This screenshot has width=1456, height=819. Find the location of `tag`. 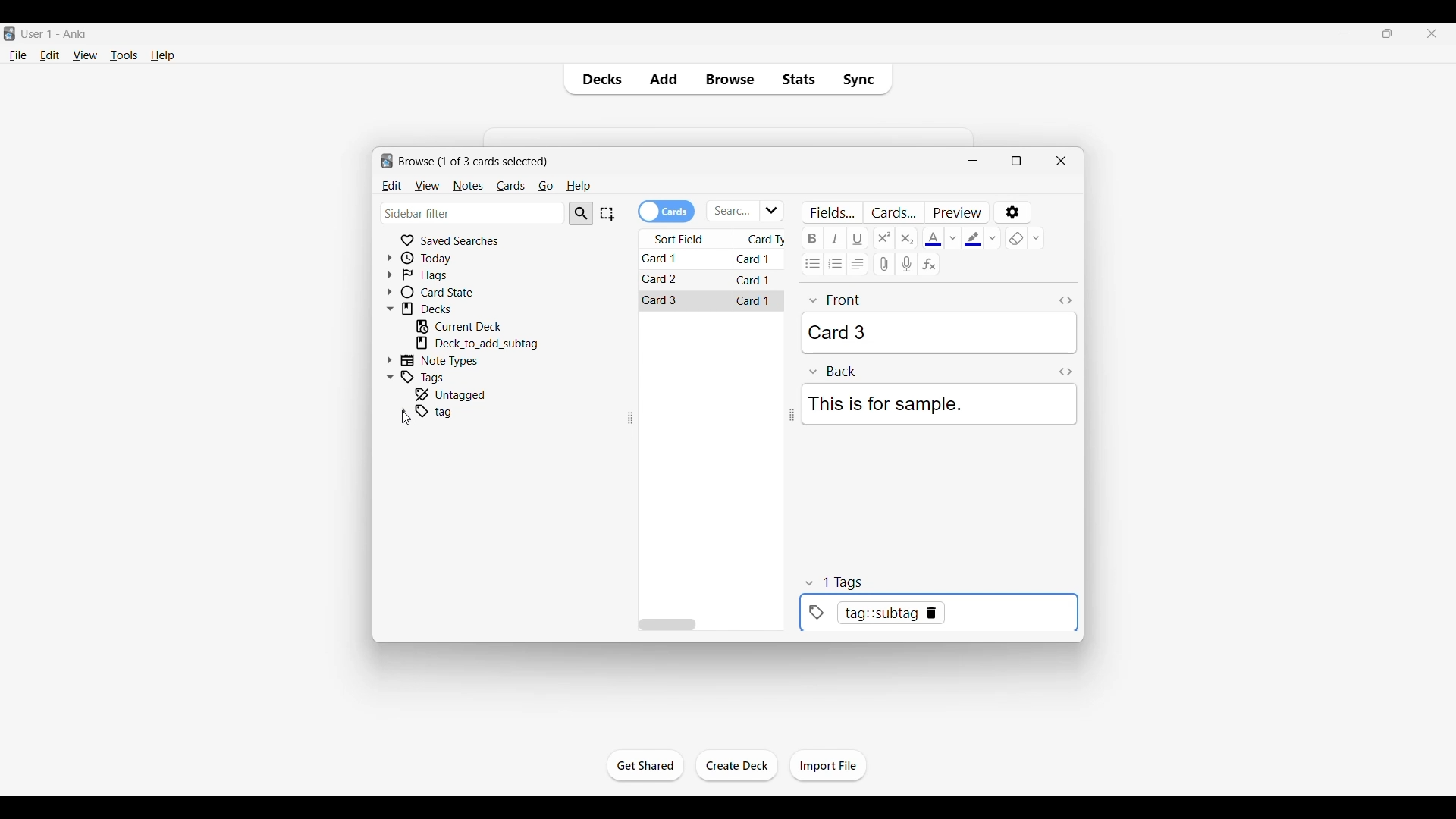

tag is located at coordinates (440, 412).